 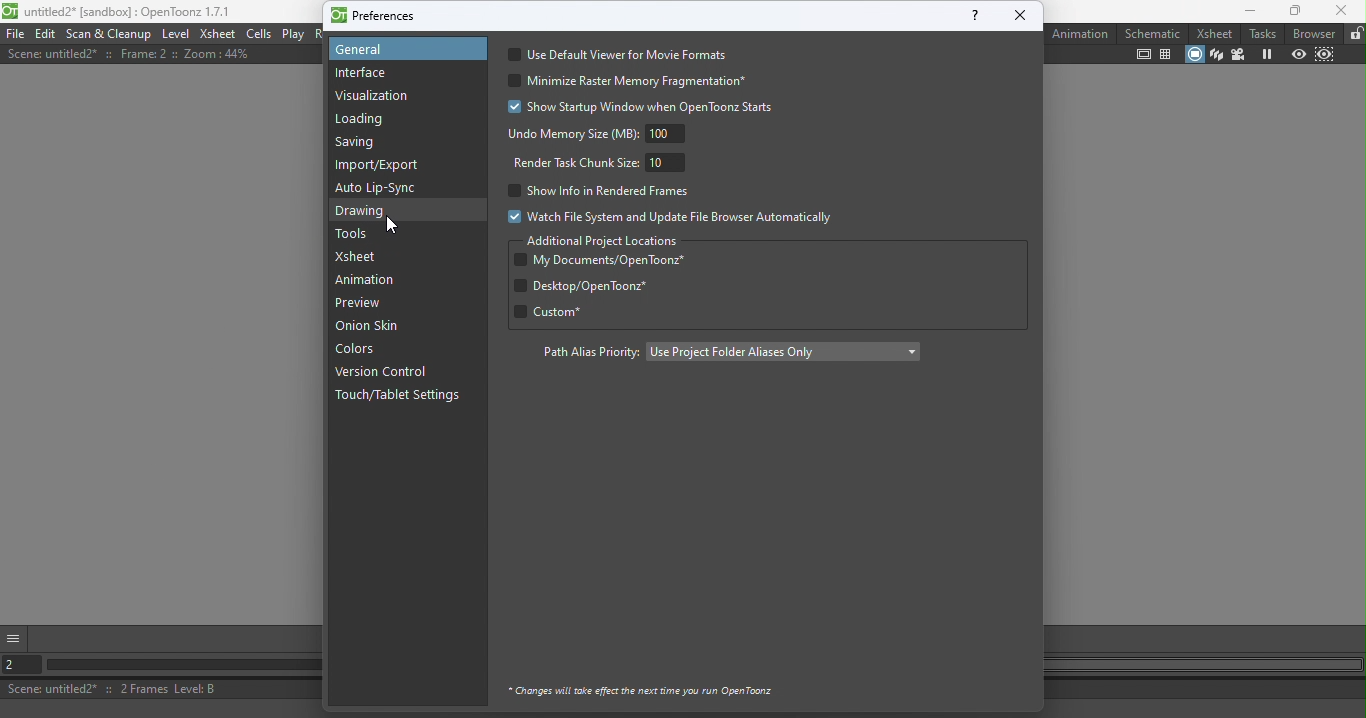 What do you see at coordinates (635, 81) in the screenshot?
I see `Minimize raster memory fragmentation*` at bounding box center [635, 81].